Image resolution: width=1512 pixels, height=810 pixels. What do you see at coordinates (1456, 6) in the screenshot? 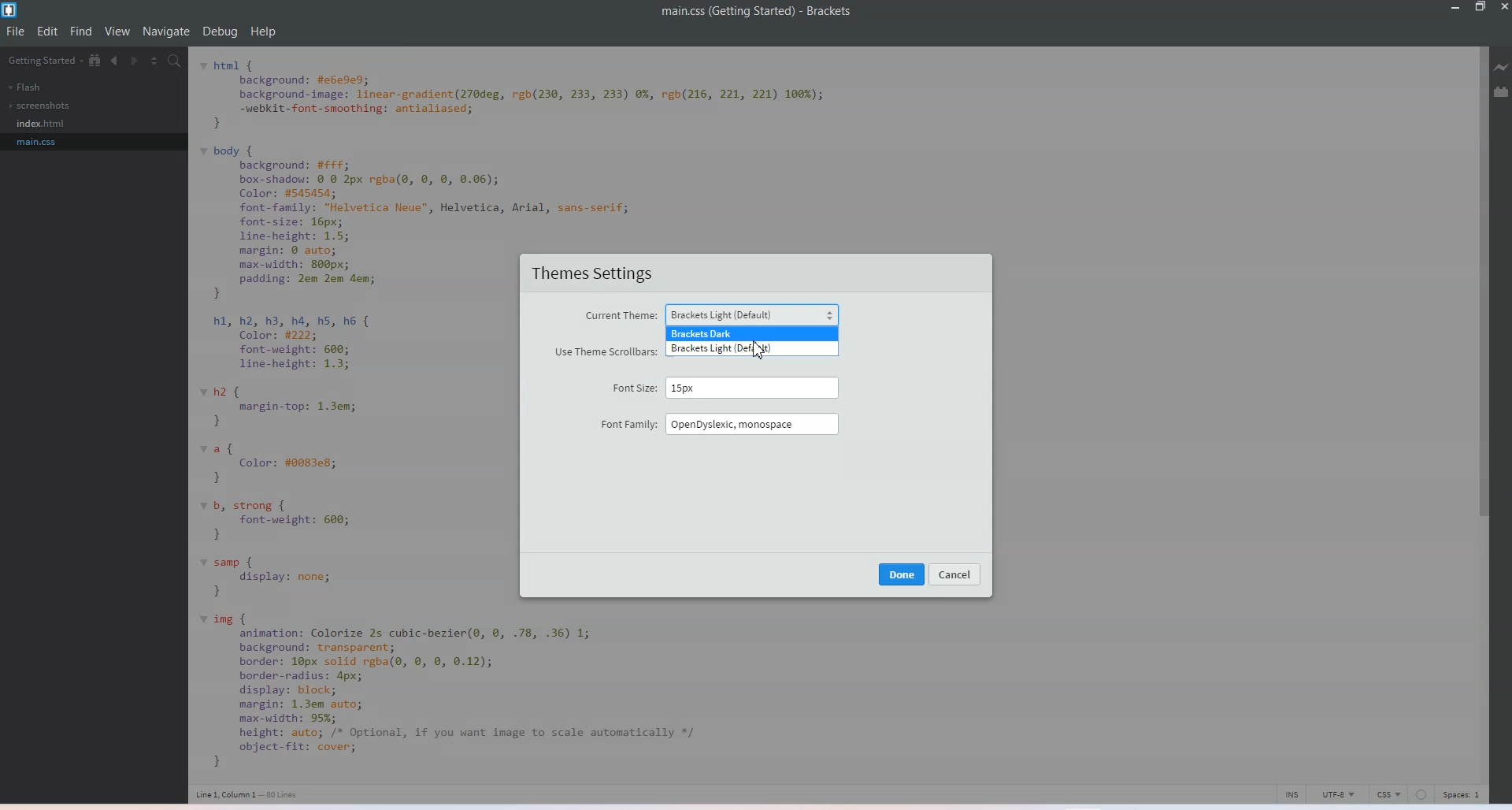
I see `Minimize` at bounding box center [1456, 6].